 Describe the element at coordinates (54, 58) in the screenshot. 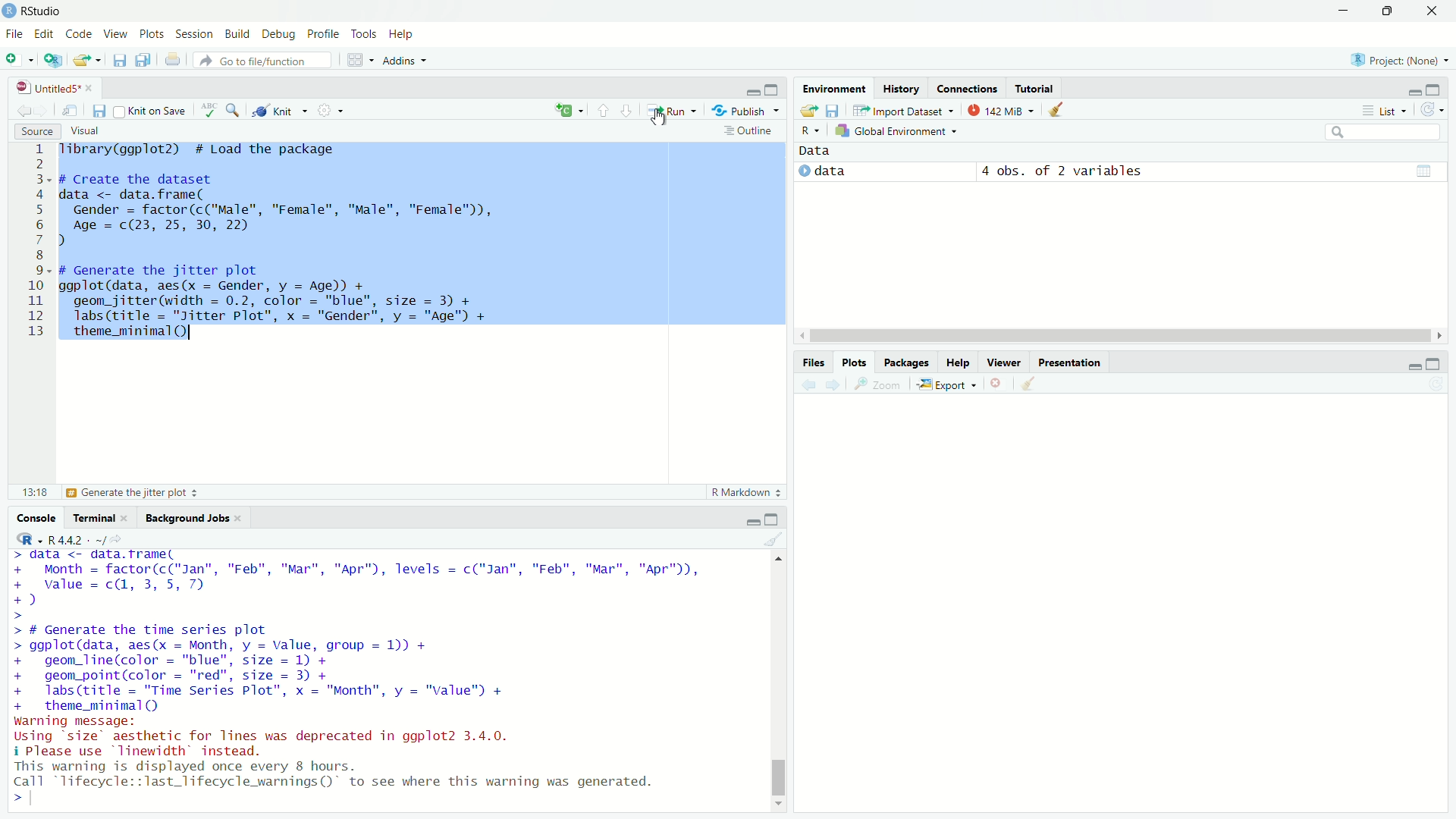

I see `create a project` at that location.